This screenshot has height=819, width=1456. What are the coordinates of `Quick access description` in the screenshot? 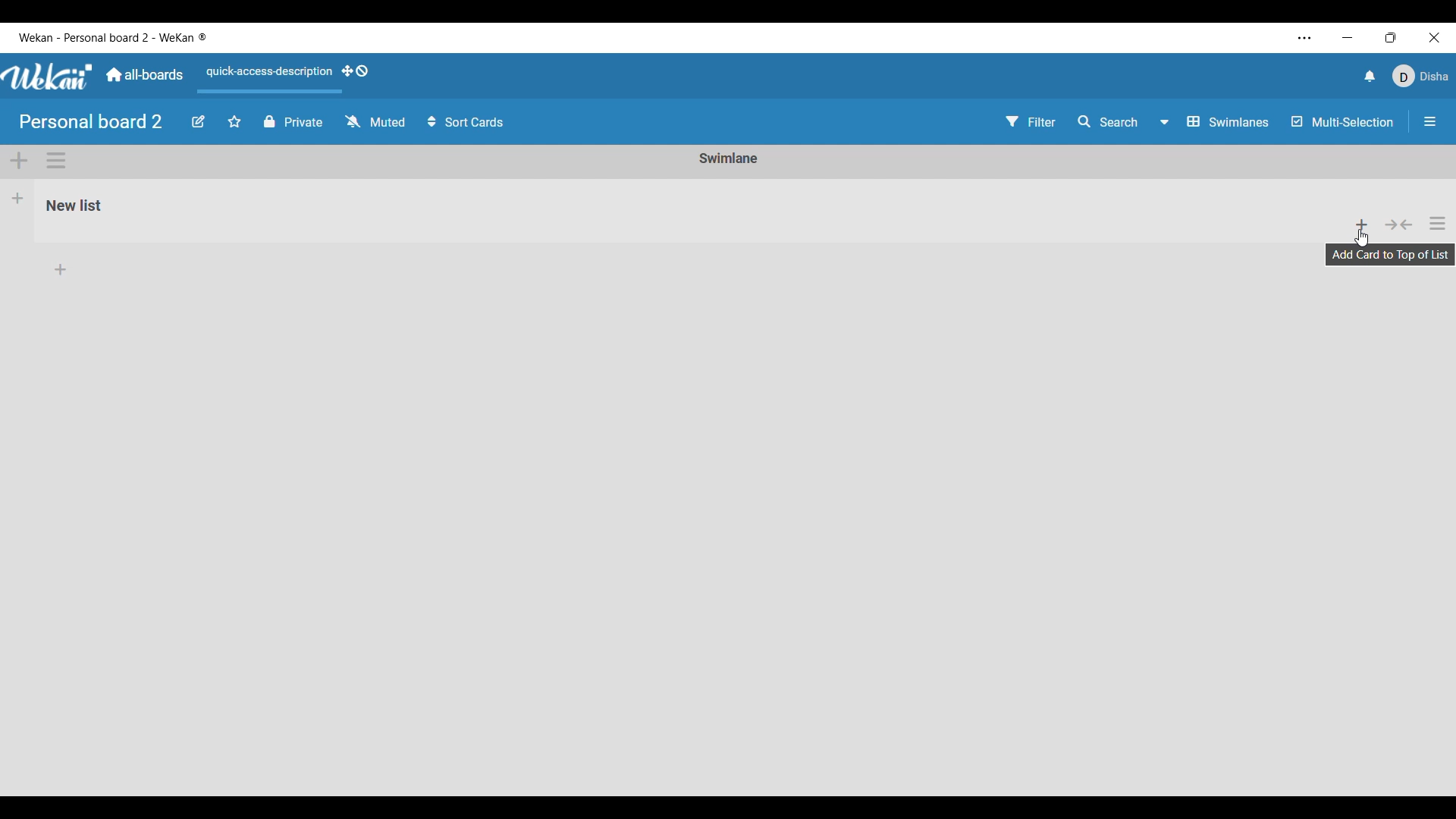 It's located at (266, 78).